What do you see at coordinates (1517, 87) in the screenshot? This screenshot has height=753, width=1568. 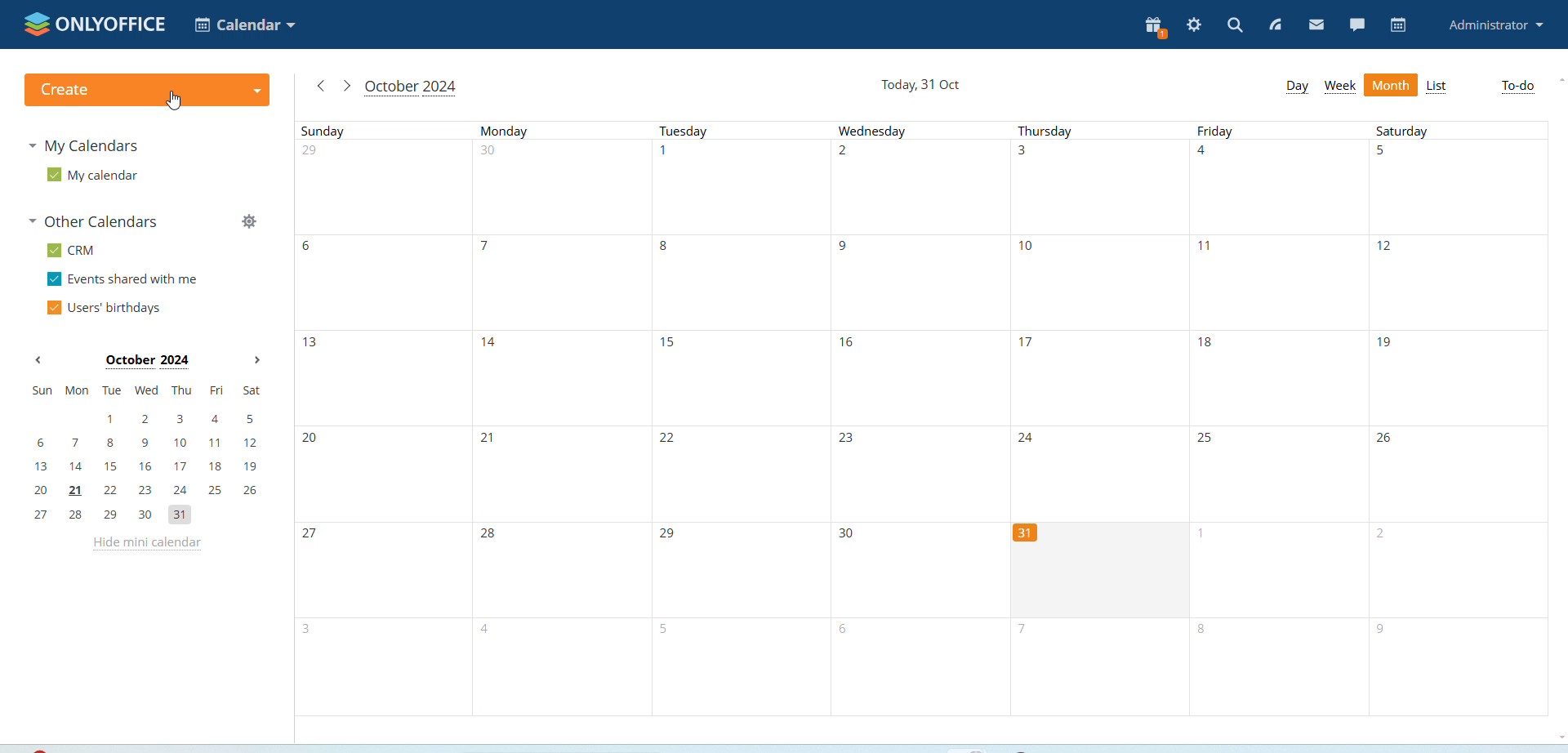 I see `to-do` at bounding box center [1517, 87].